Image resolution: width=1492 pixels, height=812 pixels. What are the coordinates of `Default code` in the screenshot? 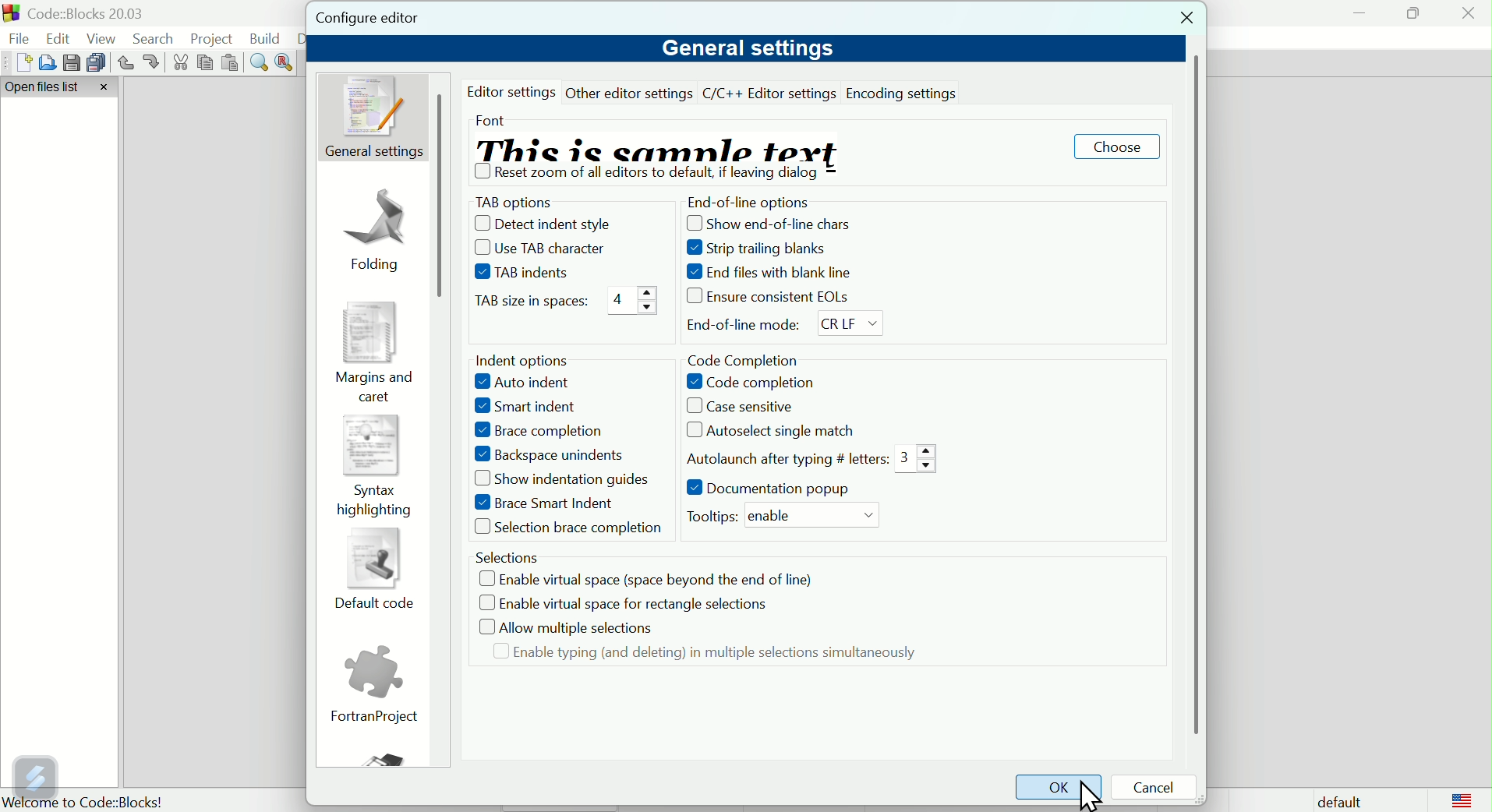 It's located at (372, 573).